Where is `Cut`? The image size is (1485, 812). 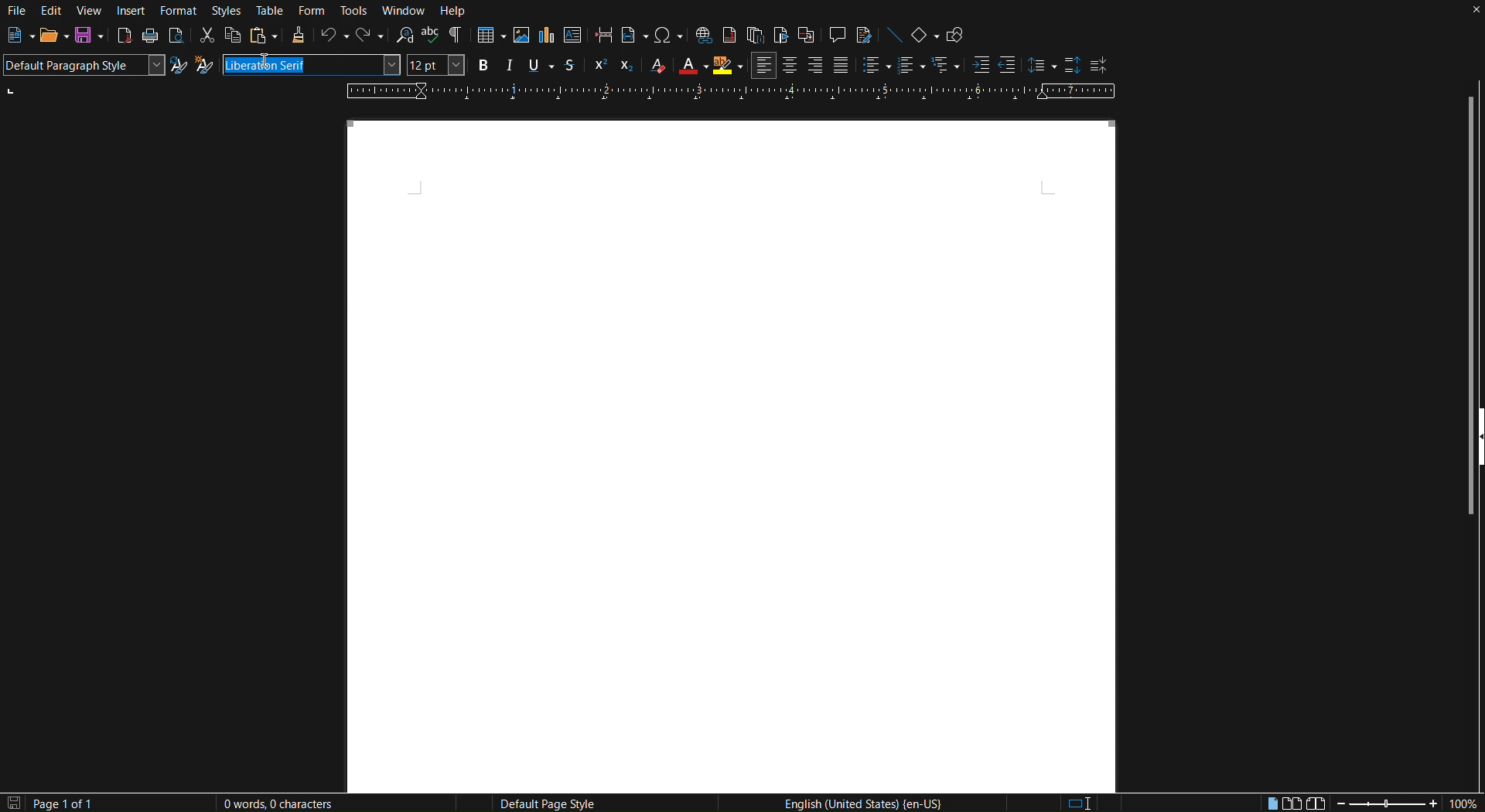 Cut is located at coordinates (205, 37).